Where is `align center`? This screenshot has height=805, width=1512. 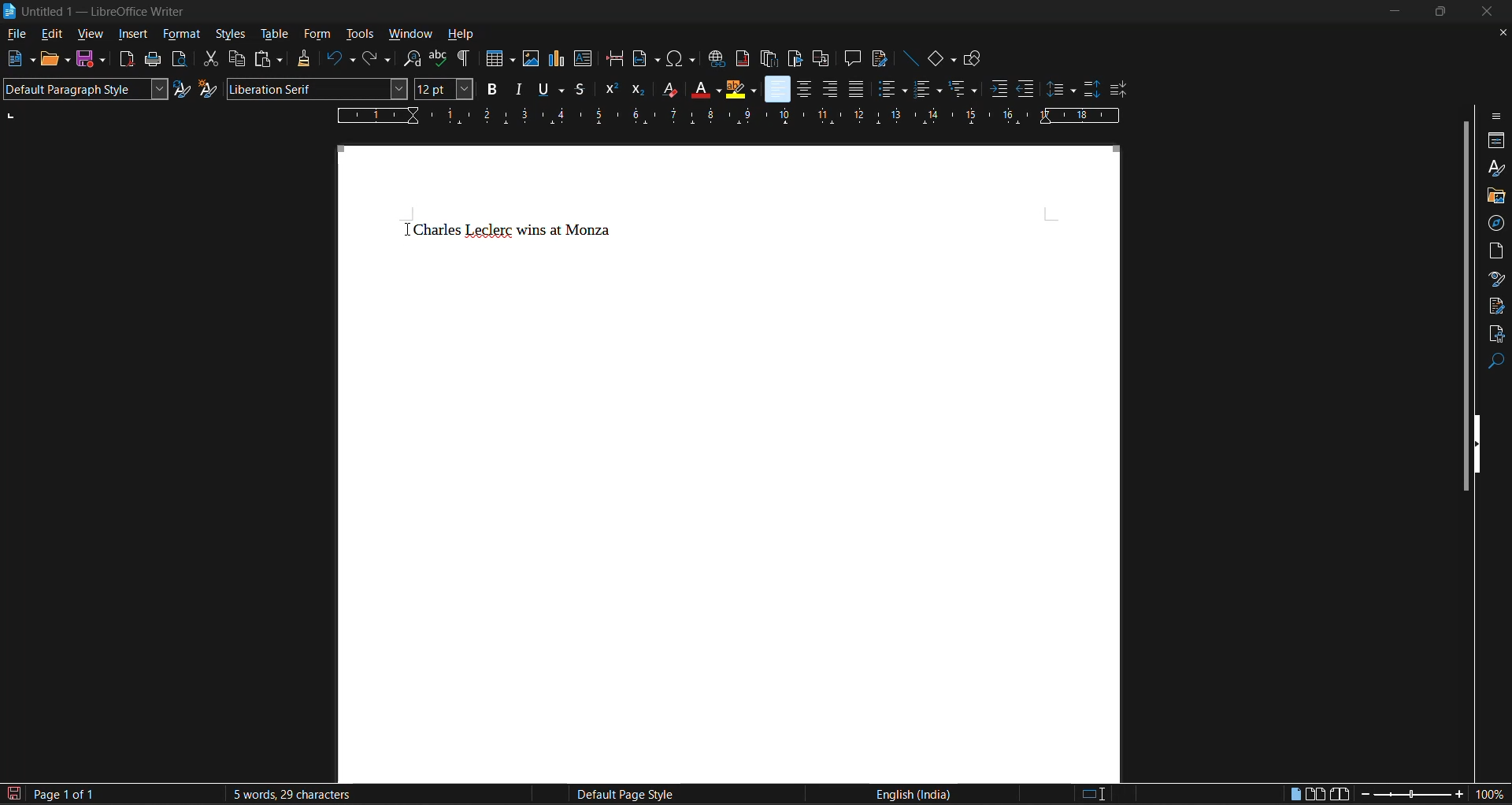
align center is located at coordinates (801, 91).